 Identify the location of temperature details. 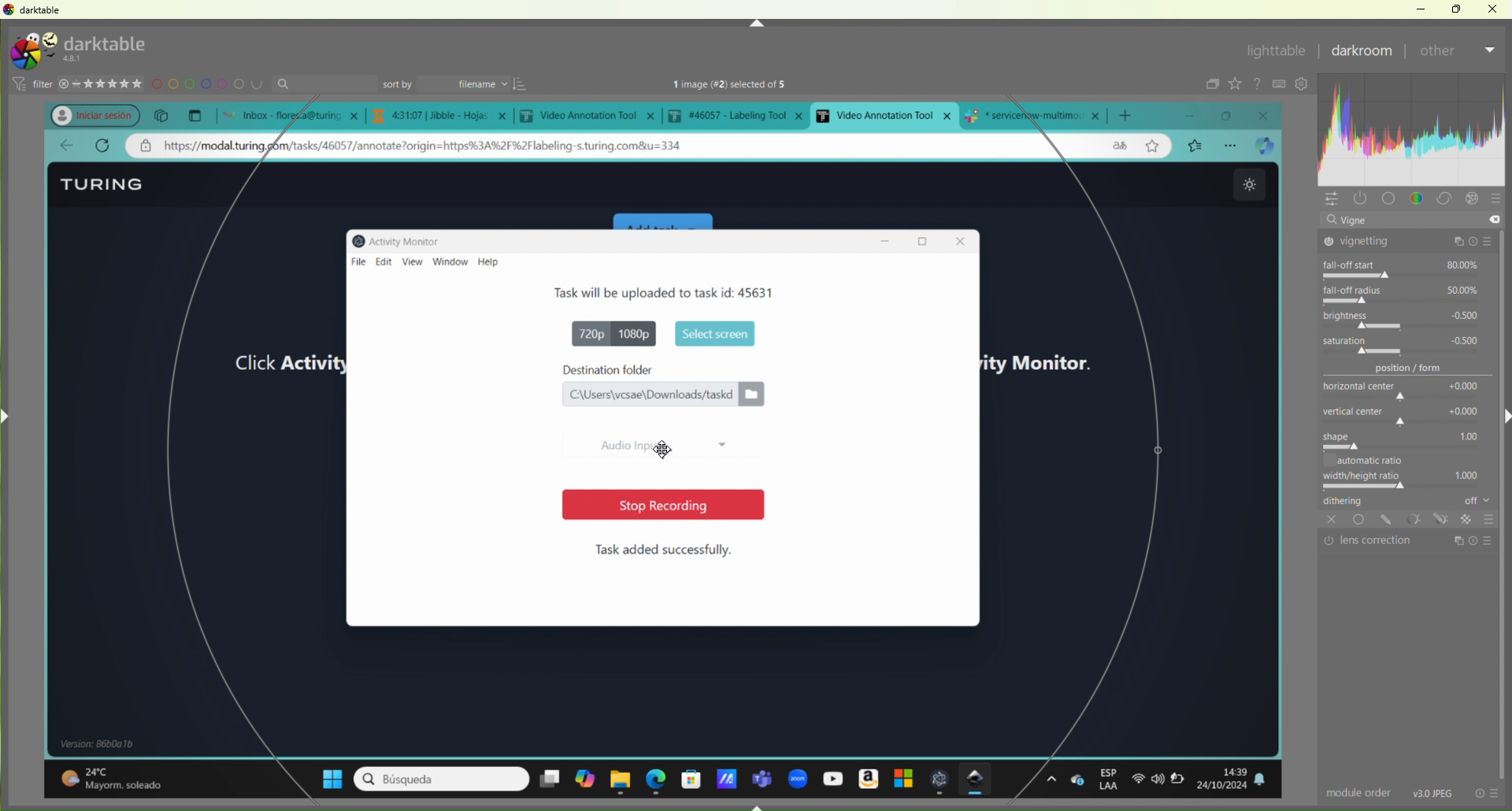
(120, 774).